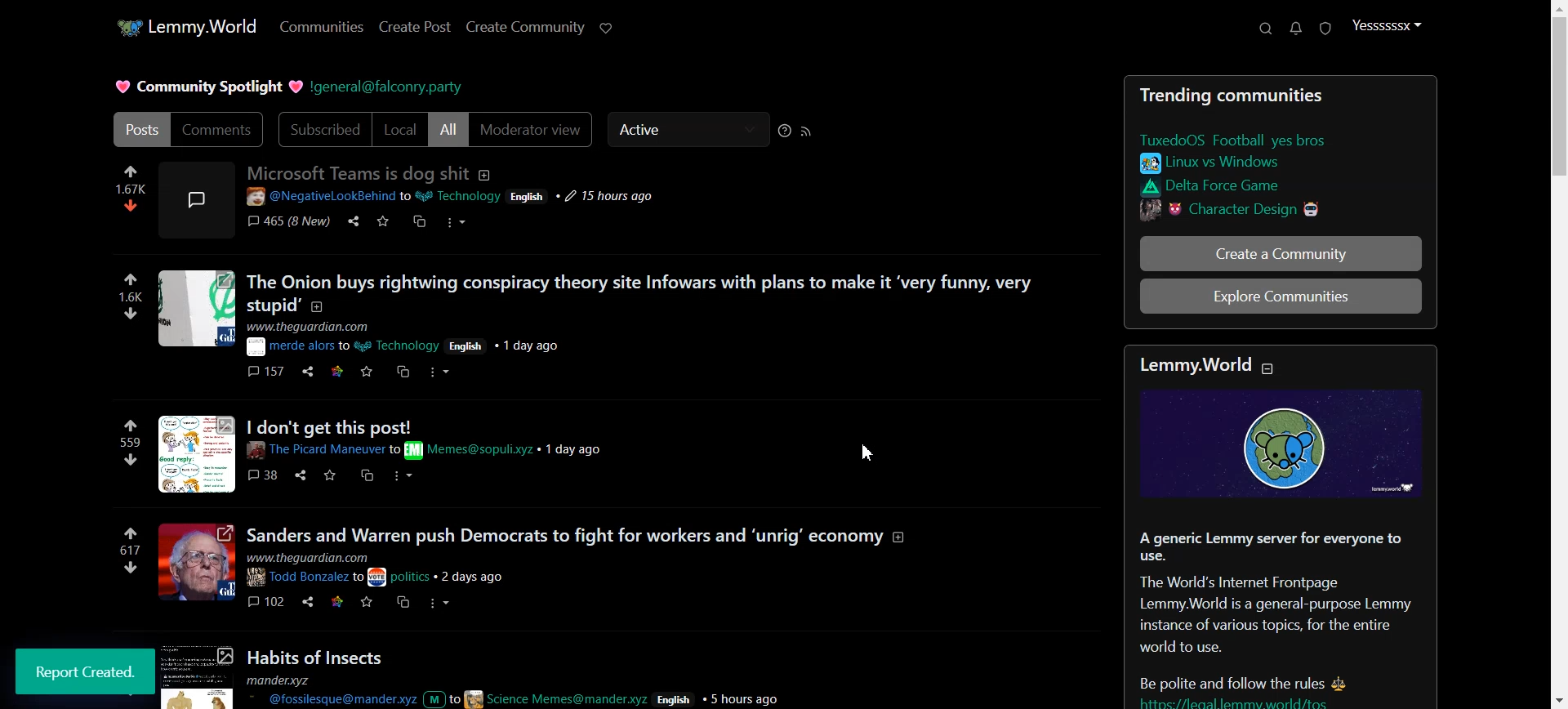 Image resolution: width=1568 pixels, height=709 pixels. Describe the element at coordinates (458, 223) in the screenshot. I see `more` at that location.